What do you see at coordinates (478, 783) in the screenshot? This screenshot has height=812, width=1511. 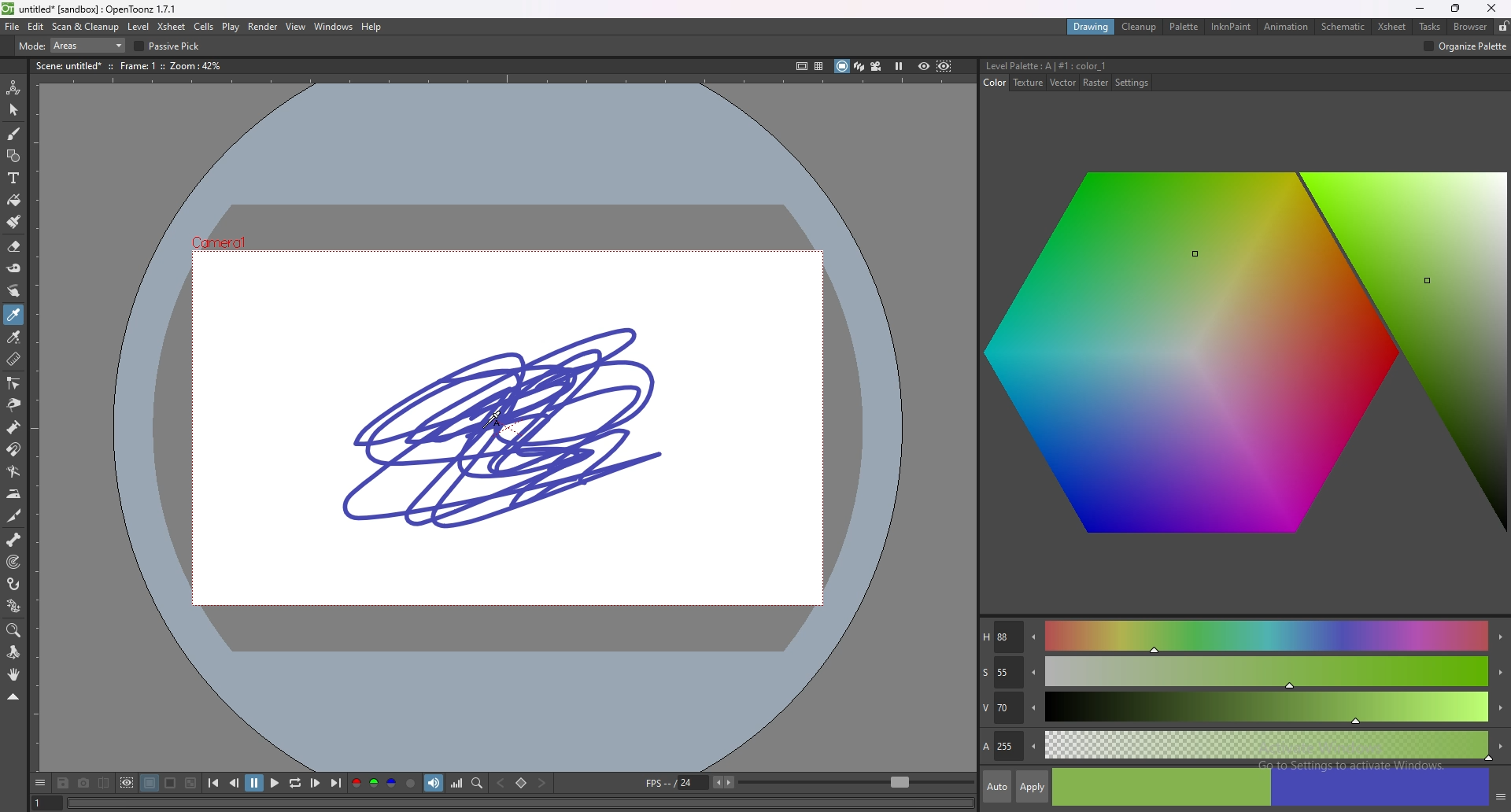 I see `locator` at bounding box center [478, 783].